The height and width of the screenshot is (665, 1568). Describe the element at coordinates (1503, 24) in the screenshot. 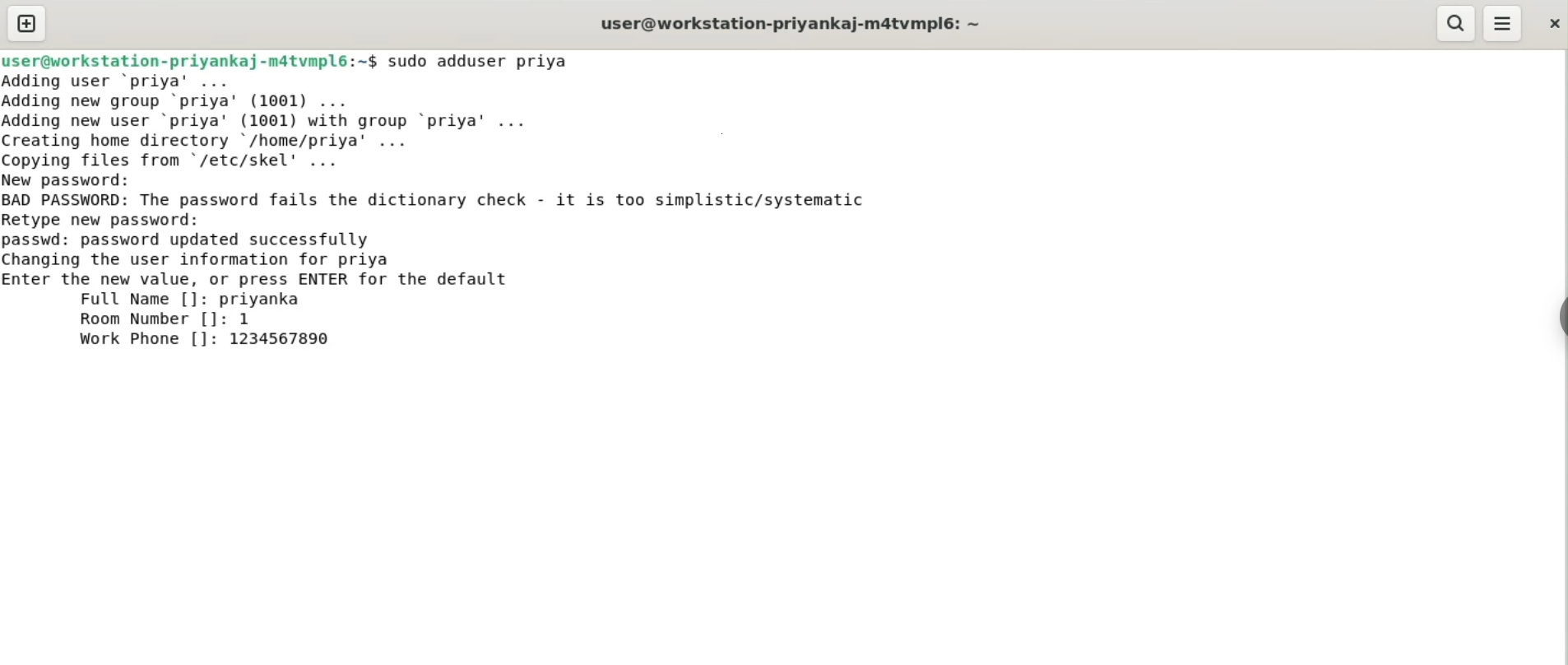

I see `menu` at that location.